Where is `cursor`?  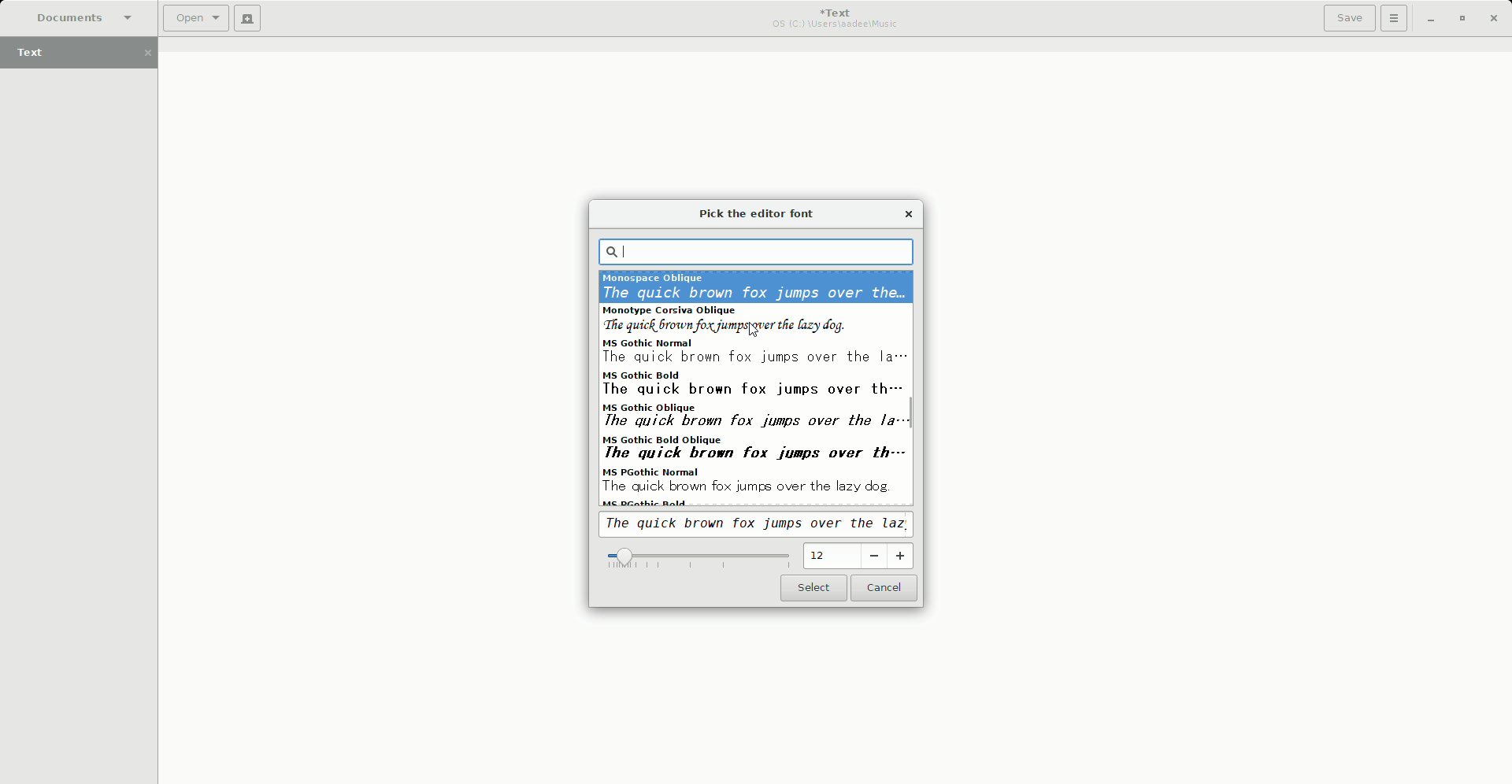
cursor is located at coordinates (756, 331).